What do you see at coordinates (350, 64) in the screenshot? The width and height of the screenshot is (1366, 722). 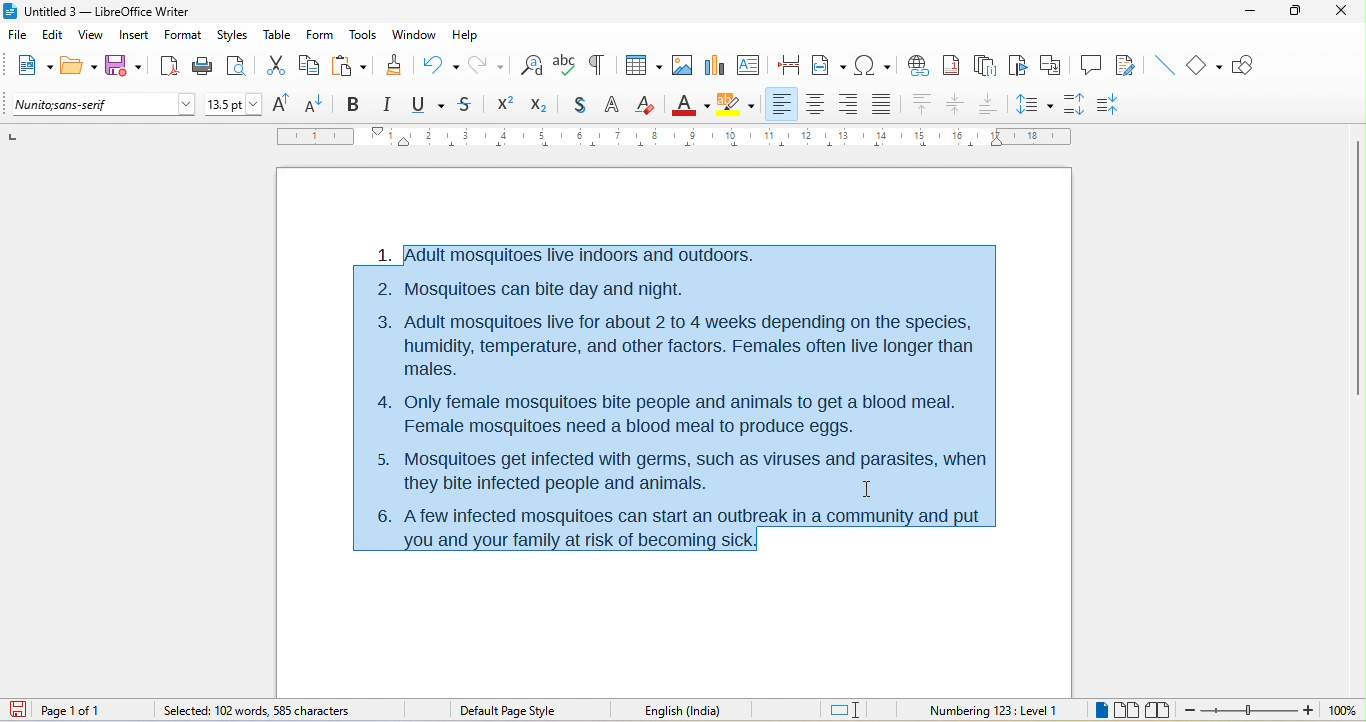 I see `paste` at bounding box center [350, 64].